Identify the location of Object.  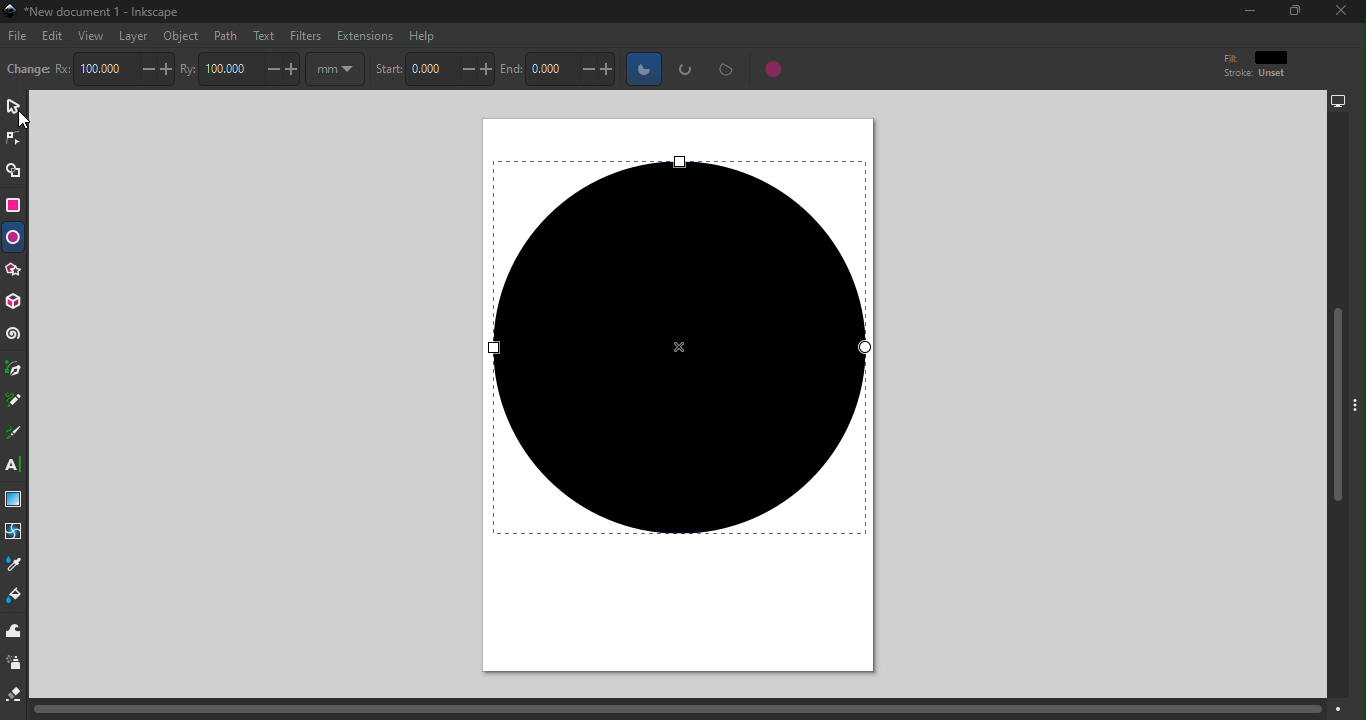
(182, 36).